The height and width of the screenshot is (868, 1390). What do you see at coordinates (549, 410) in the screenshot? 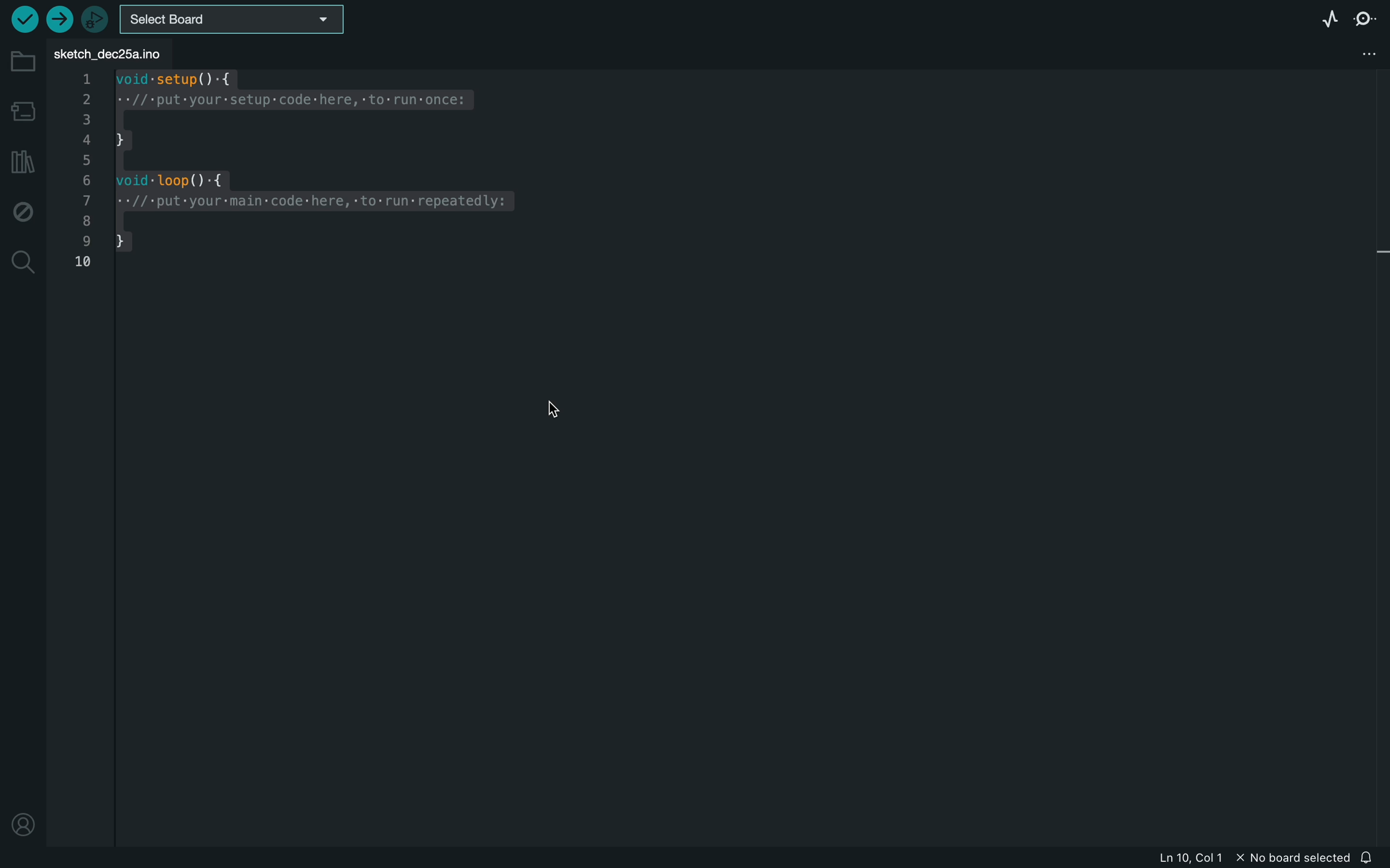
I see `cursor` at bounding box center [549, 410].